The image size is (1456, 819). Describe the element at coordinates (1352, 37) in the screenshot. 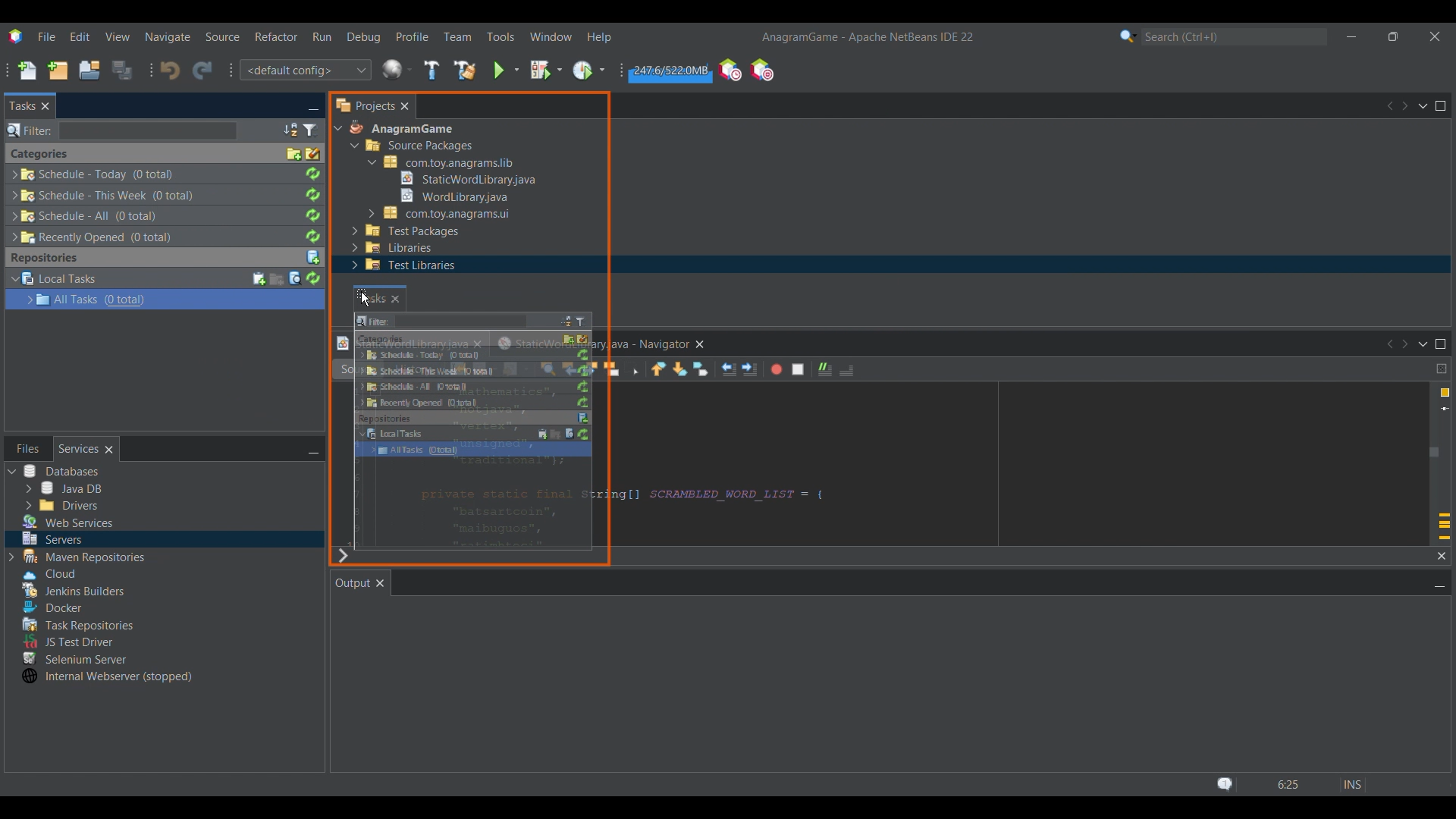

I see `Minimize` at that location.